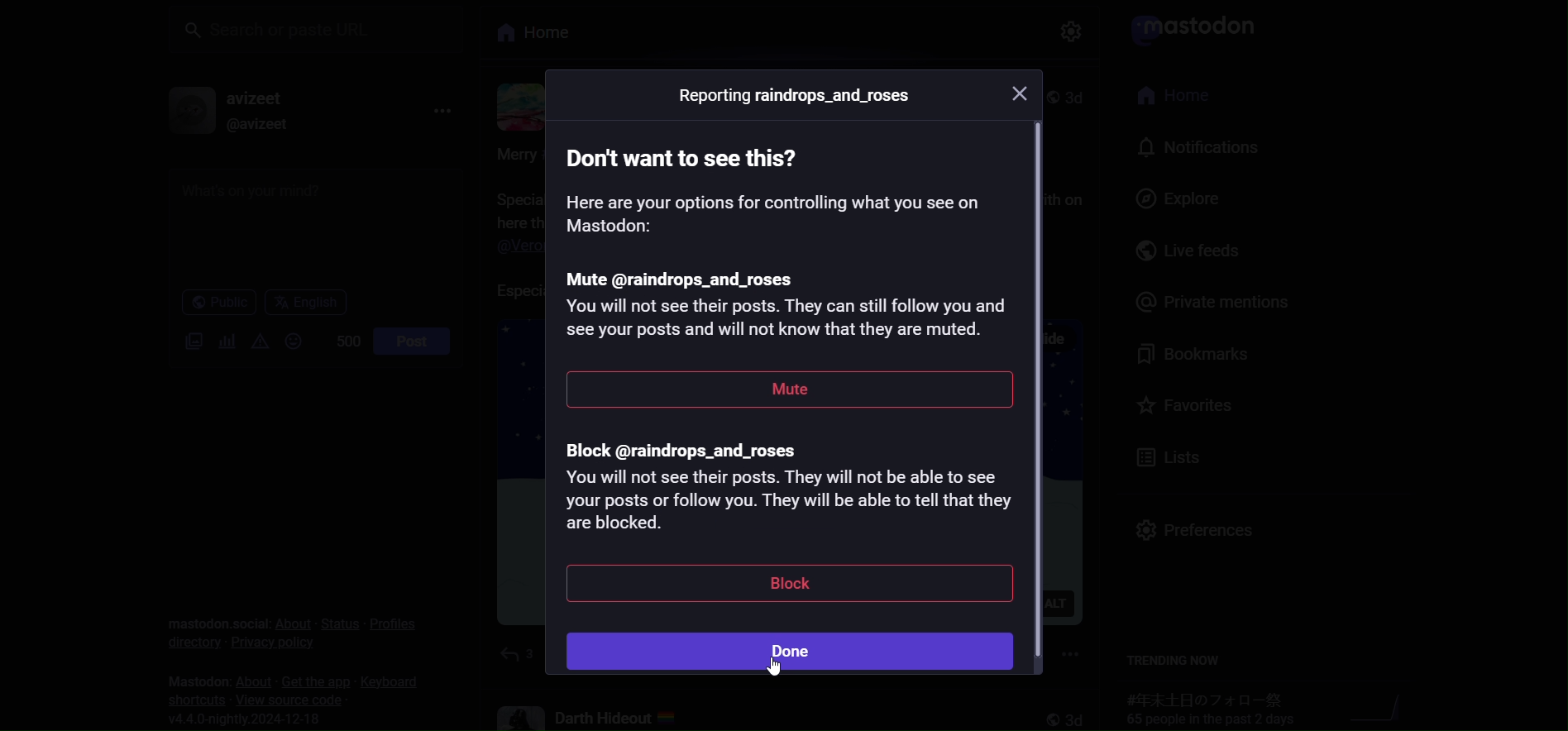 The height and width of the screenshot is (731, 1568). I want to click on block instruction, so click(791, 491).